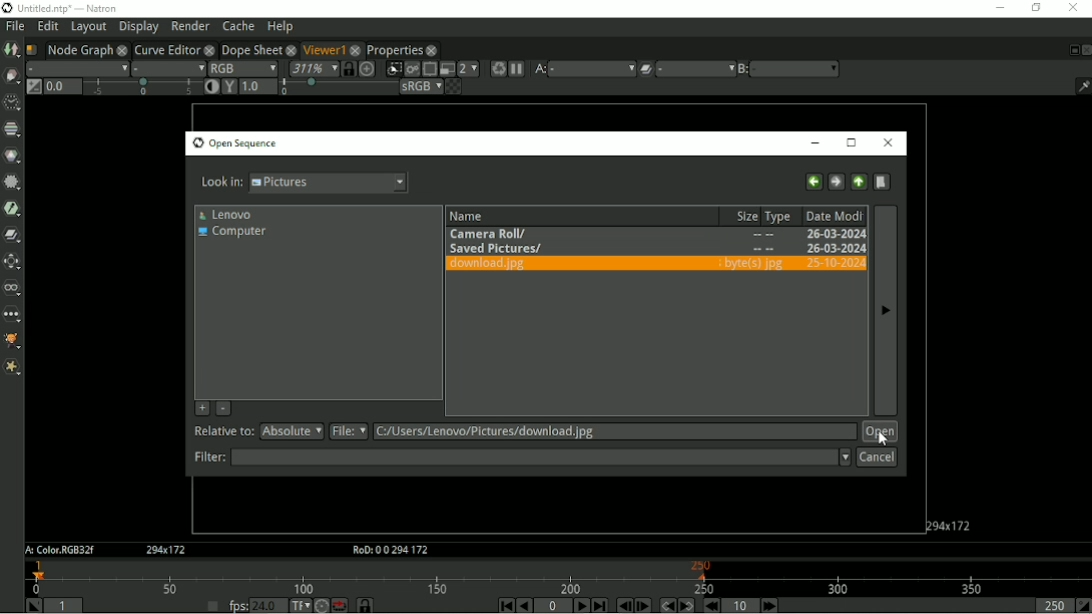  What do you see at coordinates (12, 368) in the screenshot?
I see `Extra` at bounding box center [12, 368].